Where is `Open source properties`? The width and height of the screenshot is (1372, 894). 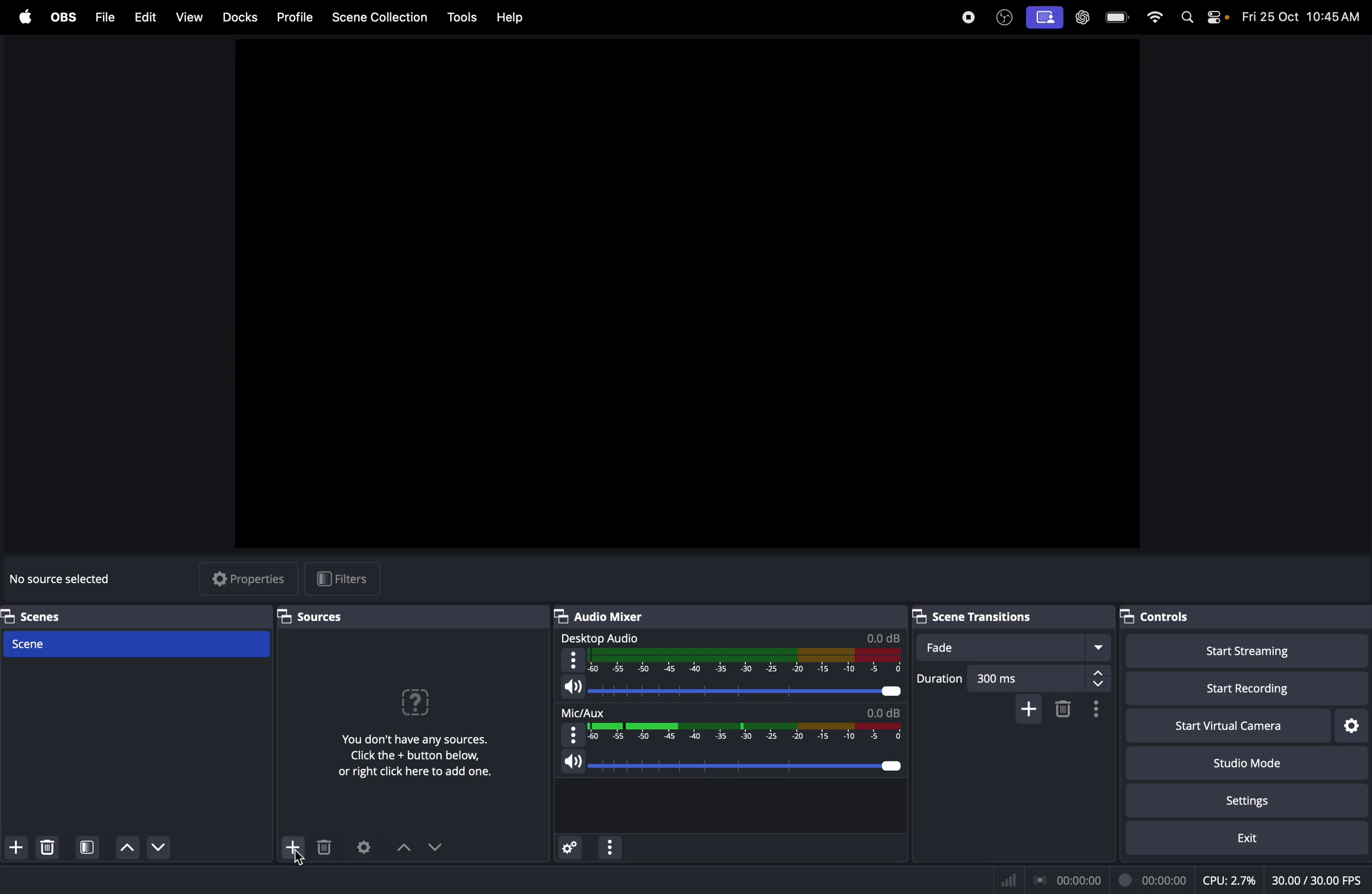 Open source properties is located at coordinates (362, 850).